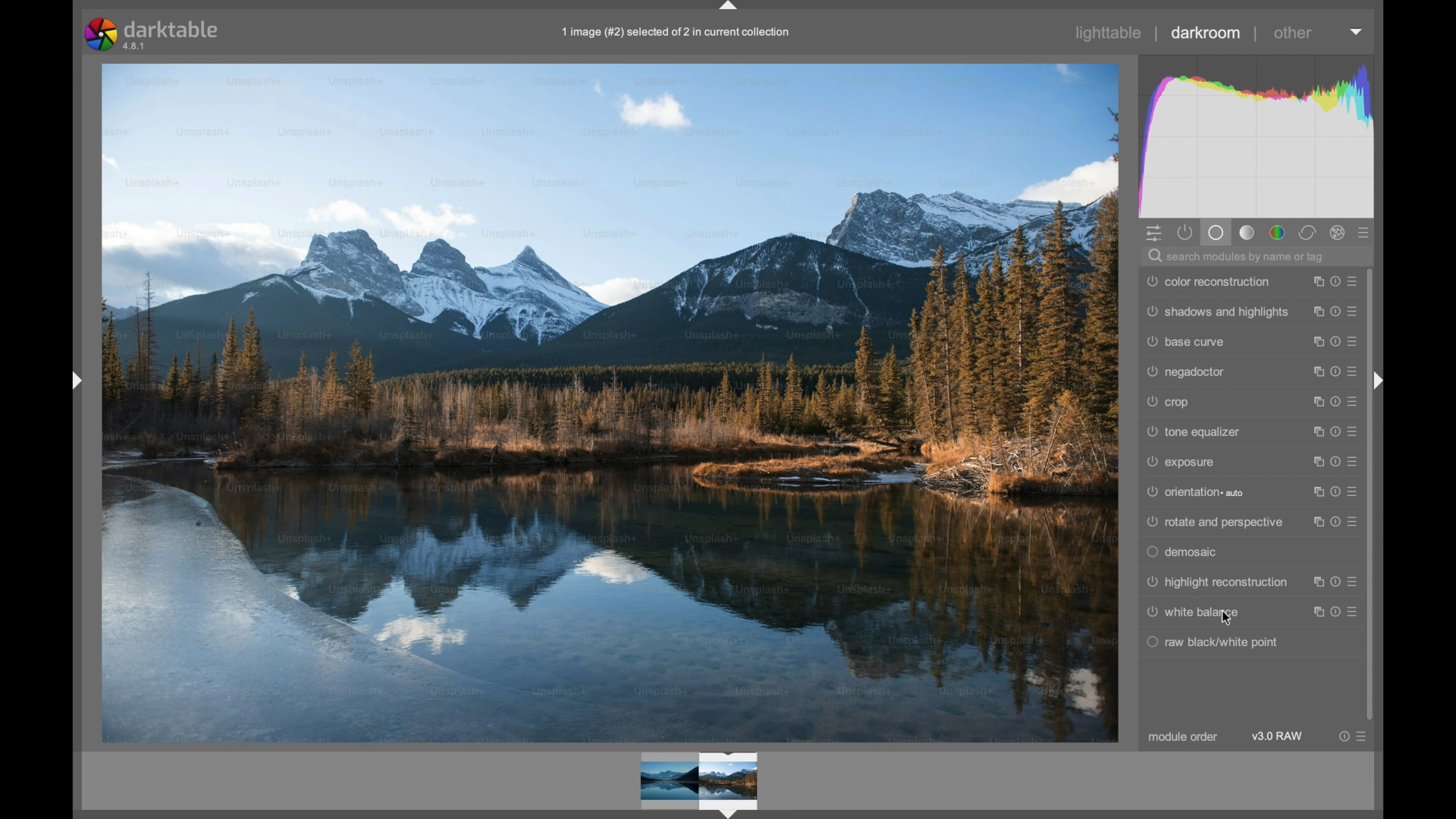  I want to click on reset parameters, so click(1334, 431).